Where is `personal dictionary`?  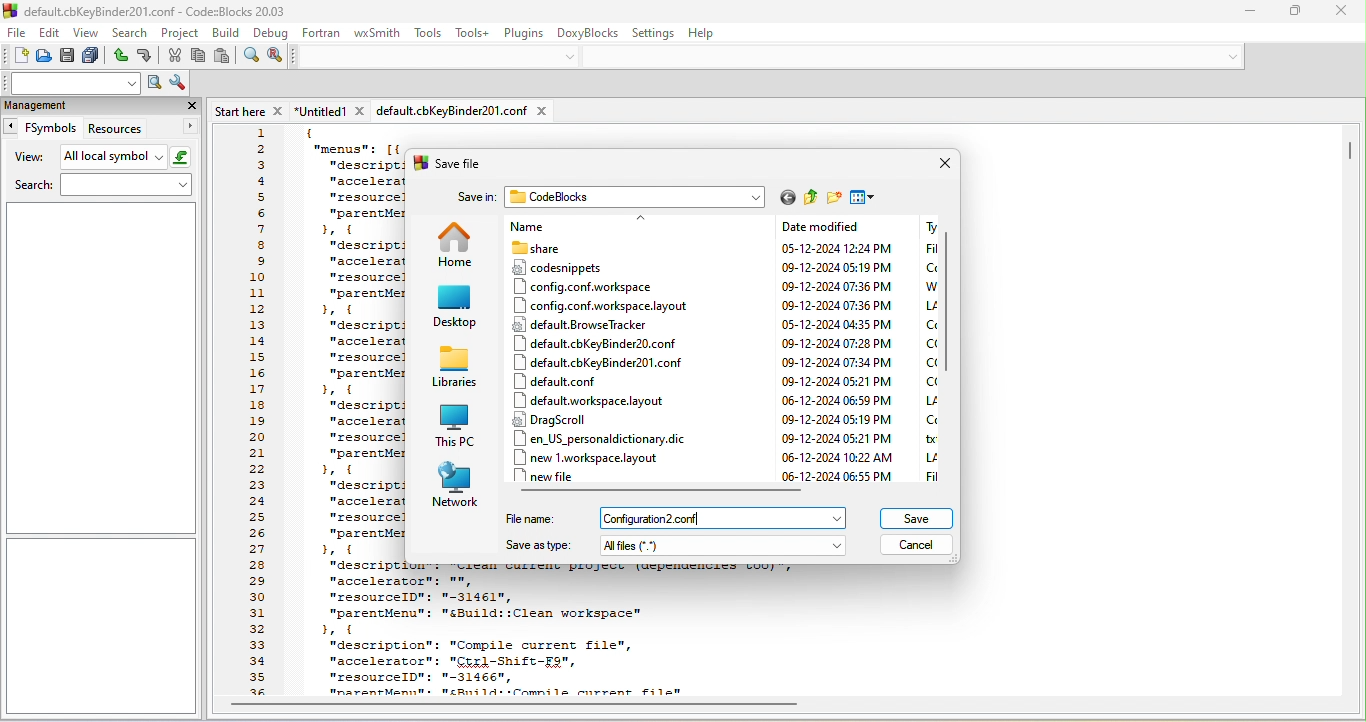 personal dictionary is located at coordinates (608, 438).